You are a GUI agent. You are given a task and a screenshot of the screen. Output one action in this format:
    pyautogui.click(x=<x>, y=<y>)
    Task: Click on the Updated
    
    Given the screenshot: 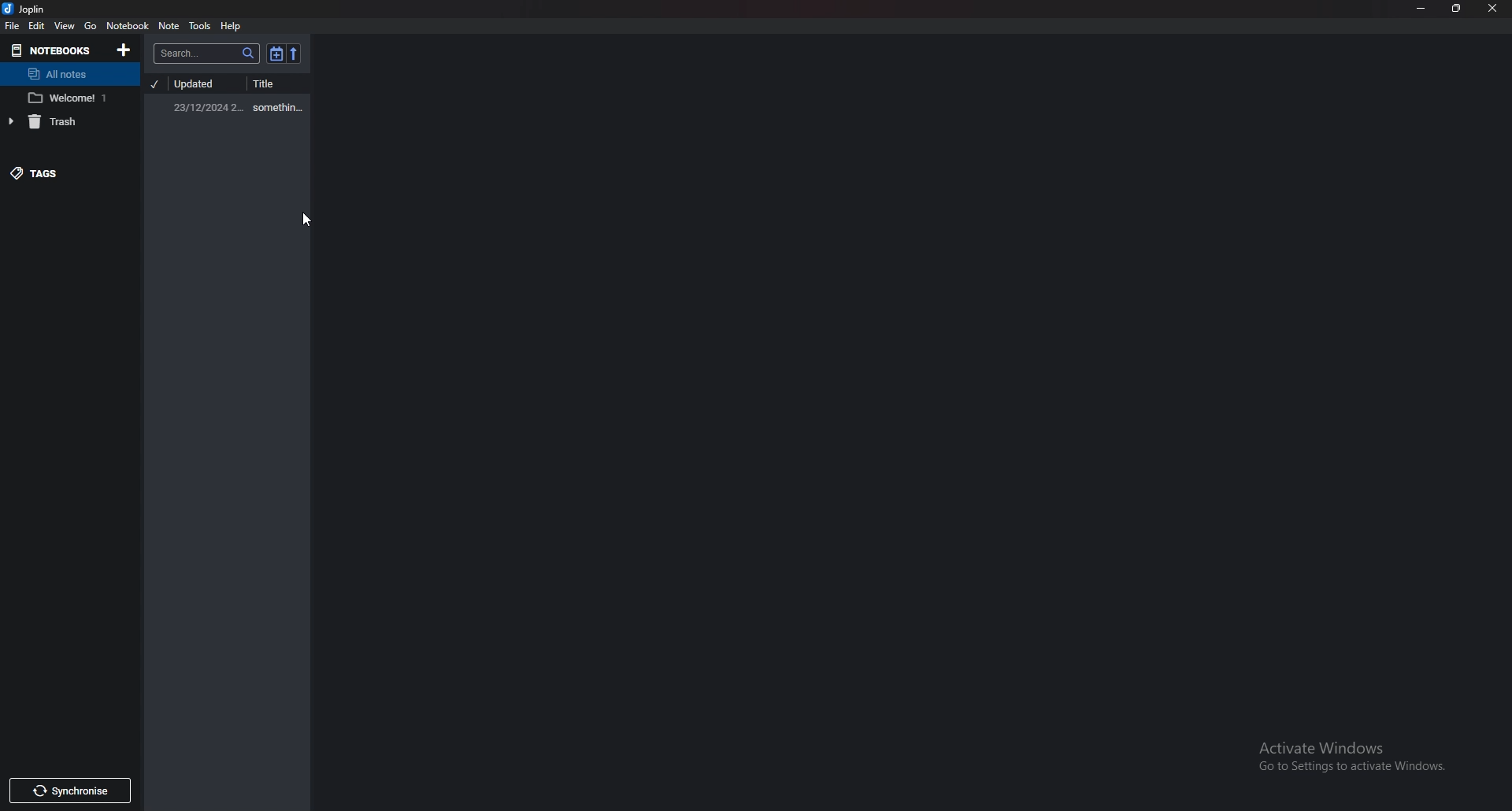 What is the action you would take?
    pyautogui.click(x=207, y=107)
    